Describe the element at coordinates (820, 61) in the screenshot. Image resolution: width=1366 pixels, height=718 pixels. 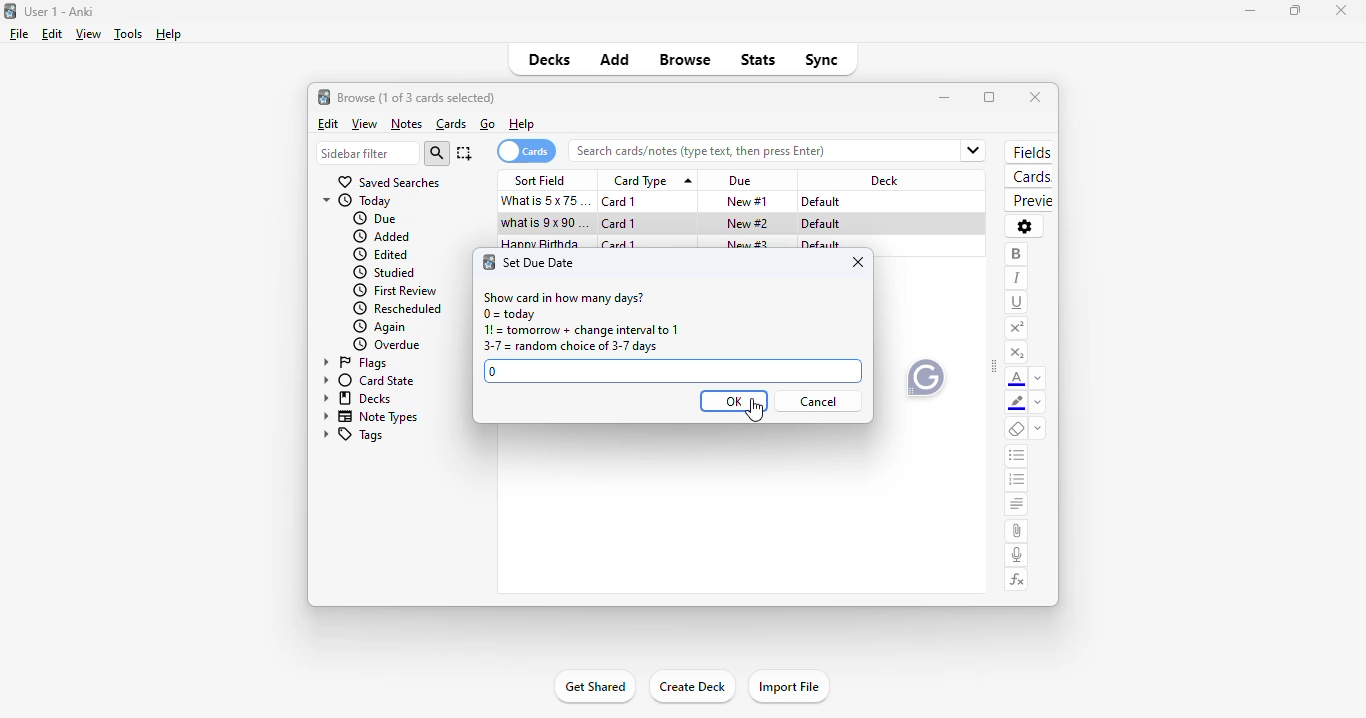
I see `sync` at that location.